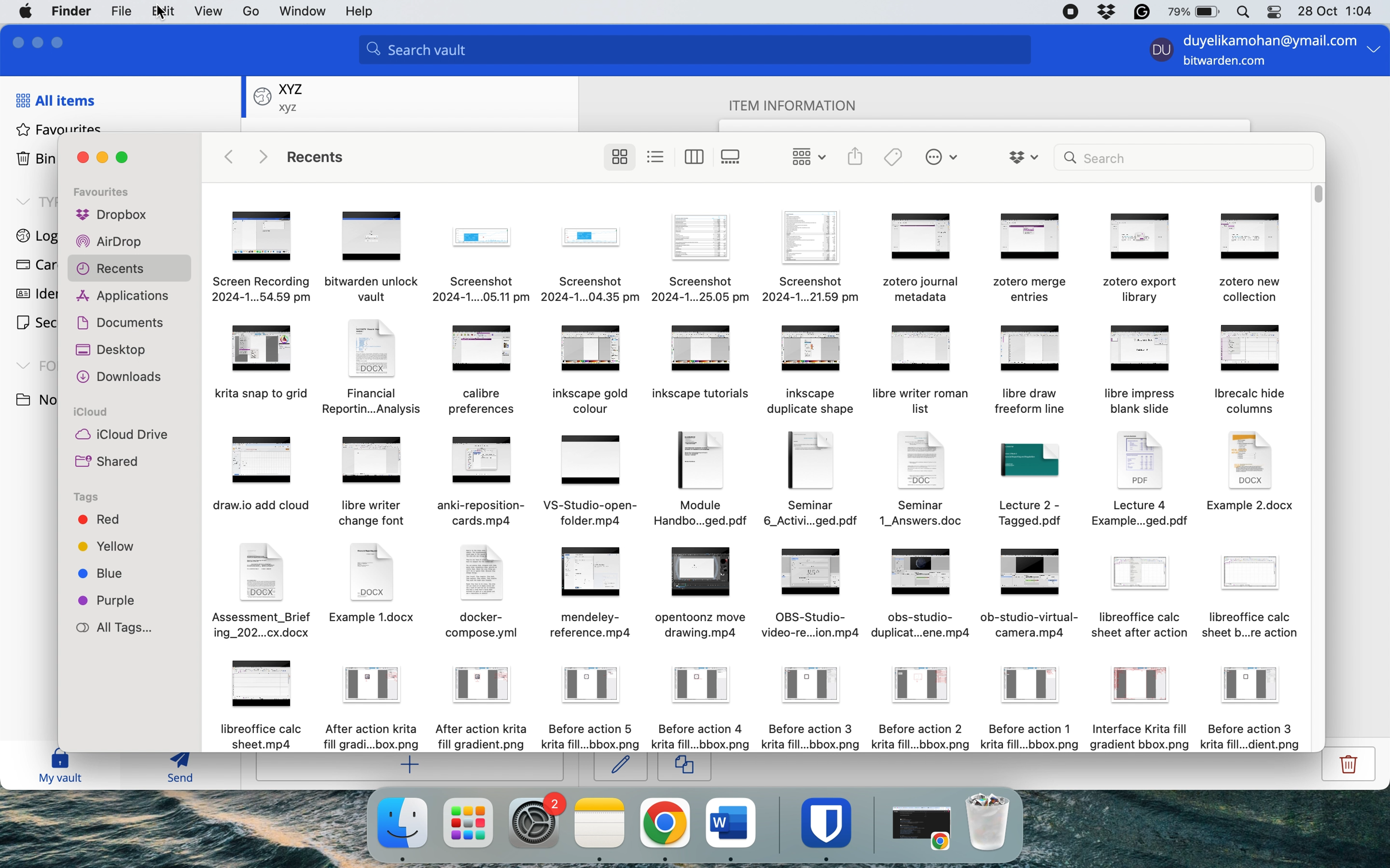  I want to click on maximise, so click(61, 40).